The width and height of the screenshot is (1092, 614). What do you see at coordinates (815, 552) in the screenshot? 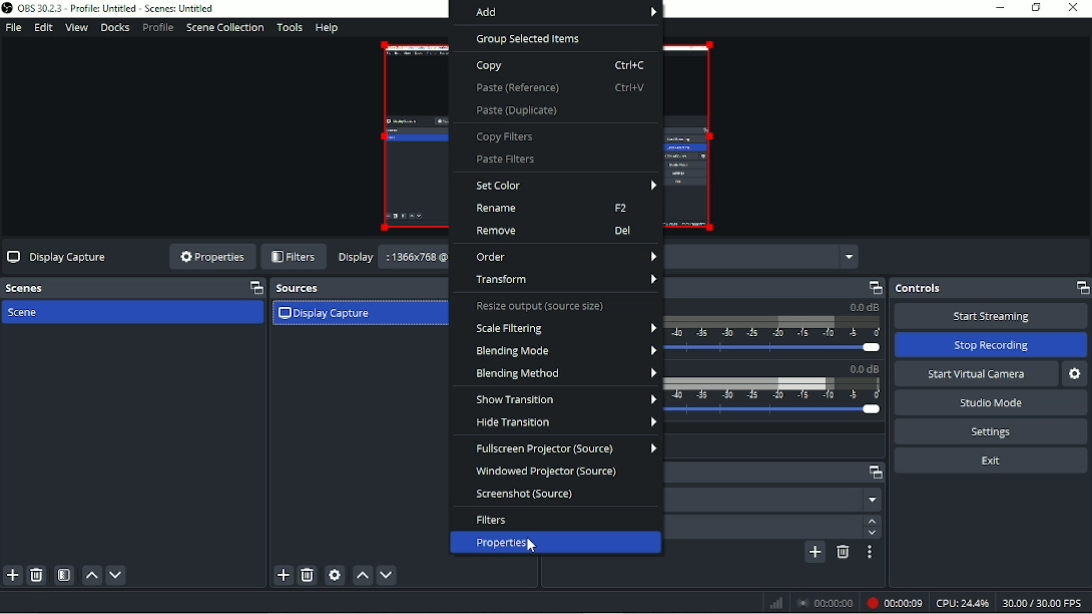
I see `Add configurable transition` at bounding box center [815, 552].